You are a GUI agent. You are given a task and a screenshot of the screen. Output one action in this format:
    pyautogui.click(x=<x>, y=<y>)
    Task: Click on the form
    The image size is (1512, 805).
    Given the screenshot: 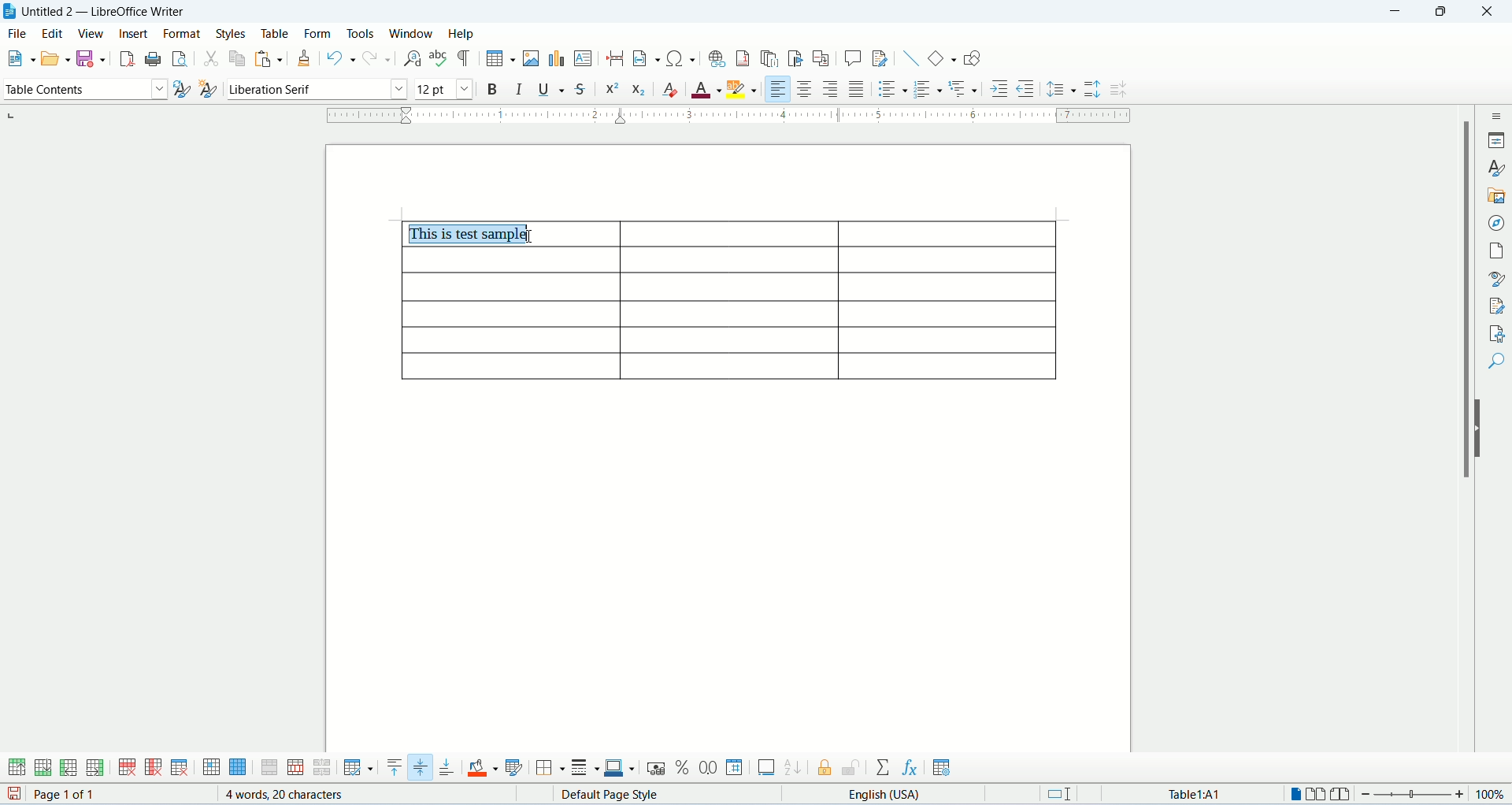 What is the action you would take?
    pyautogui.click(x=322, y=34)
    